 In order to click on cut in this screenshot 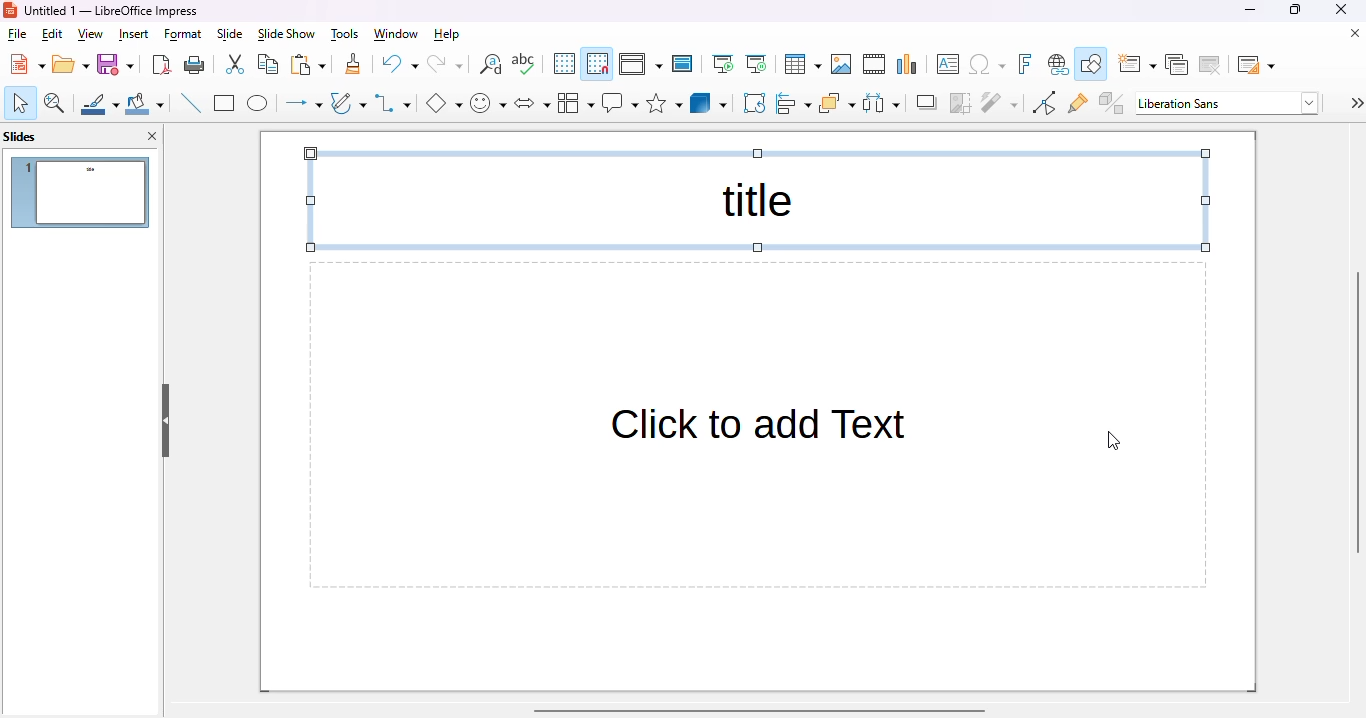, I will do `click(236, 64)`.